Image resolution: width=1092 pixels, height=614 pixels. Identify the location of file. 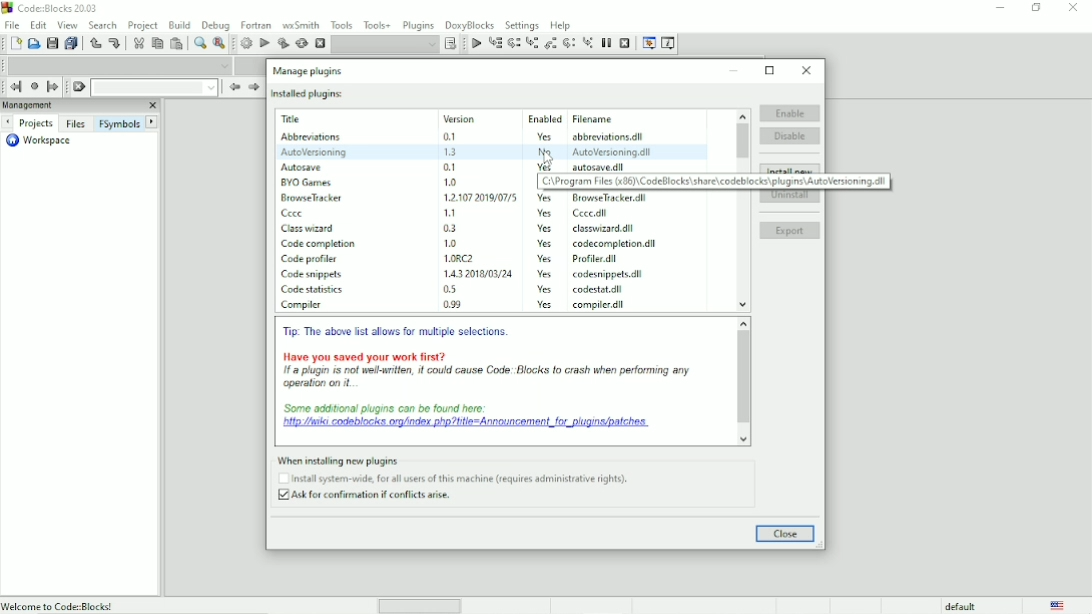
(606, 275).